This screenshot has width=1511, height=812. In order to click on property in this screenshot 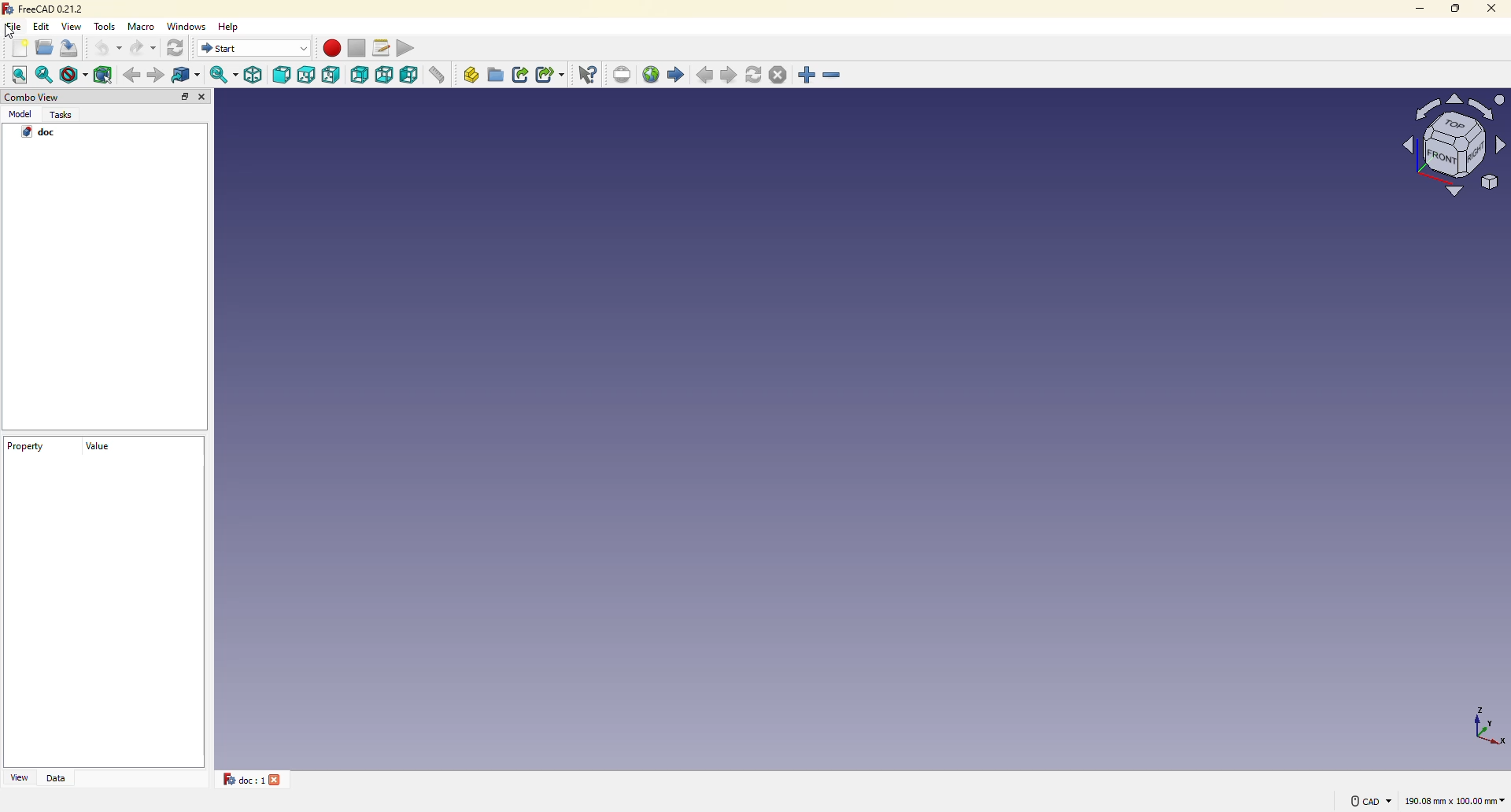, I will do `click(26, 448)`.